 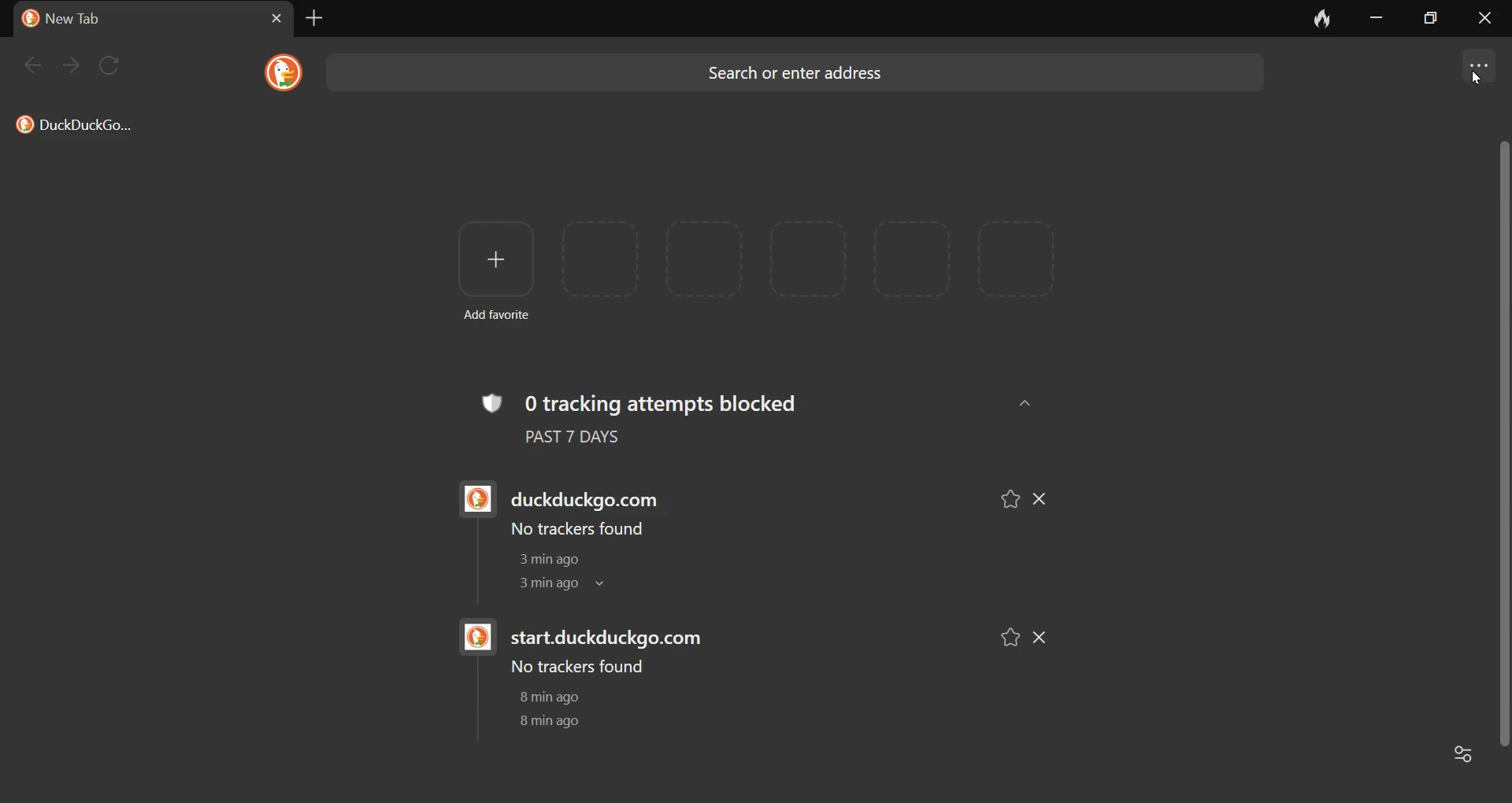 What do you see at coordinates (1028, 402) in the screenshot?
I see `up` at bounding box center [1028, 402].